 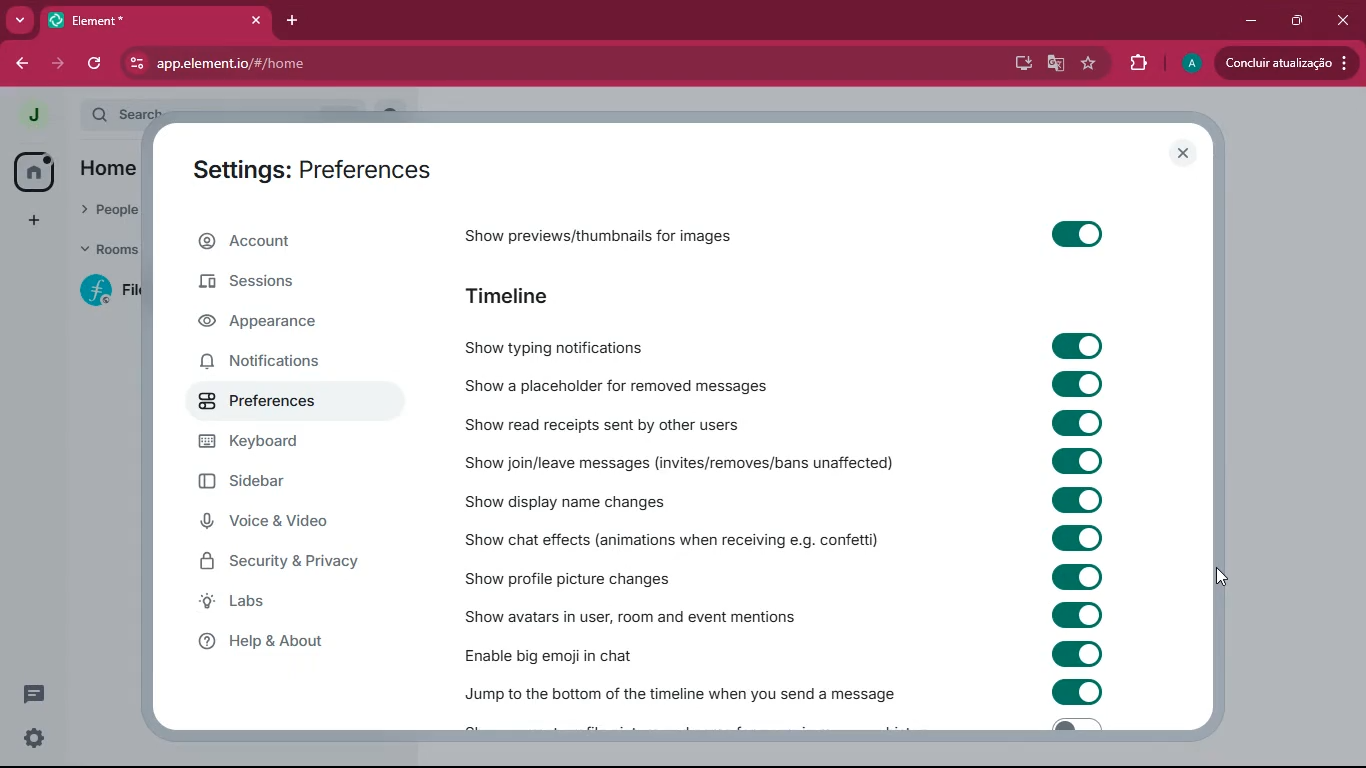 I want to click on show profile picture changes, so click(x=581, y=576).